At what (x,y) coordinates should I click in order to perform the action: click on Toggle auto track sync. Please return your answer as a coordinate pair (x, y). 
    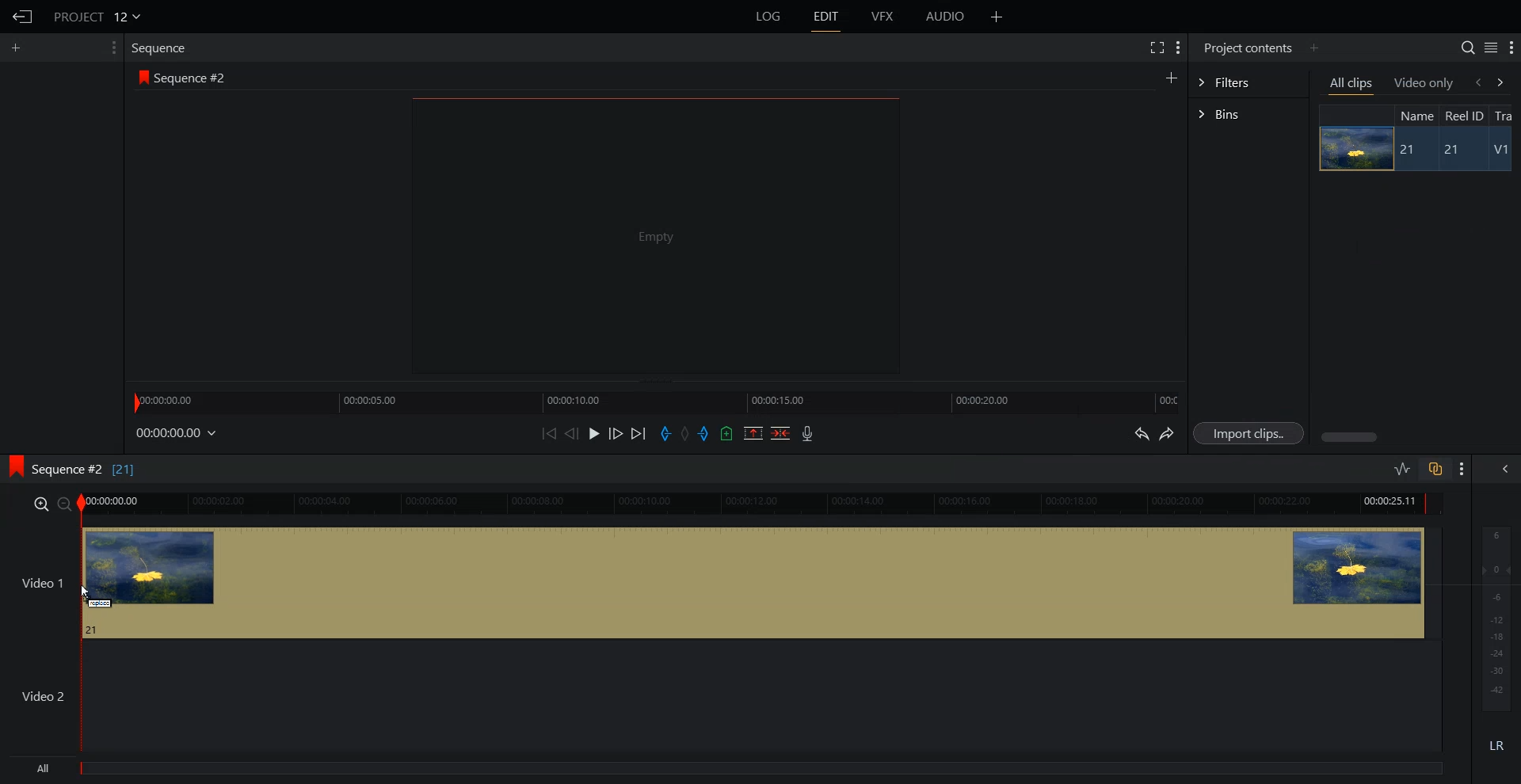
    Looking at the image, I should click on (1435, 468).